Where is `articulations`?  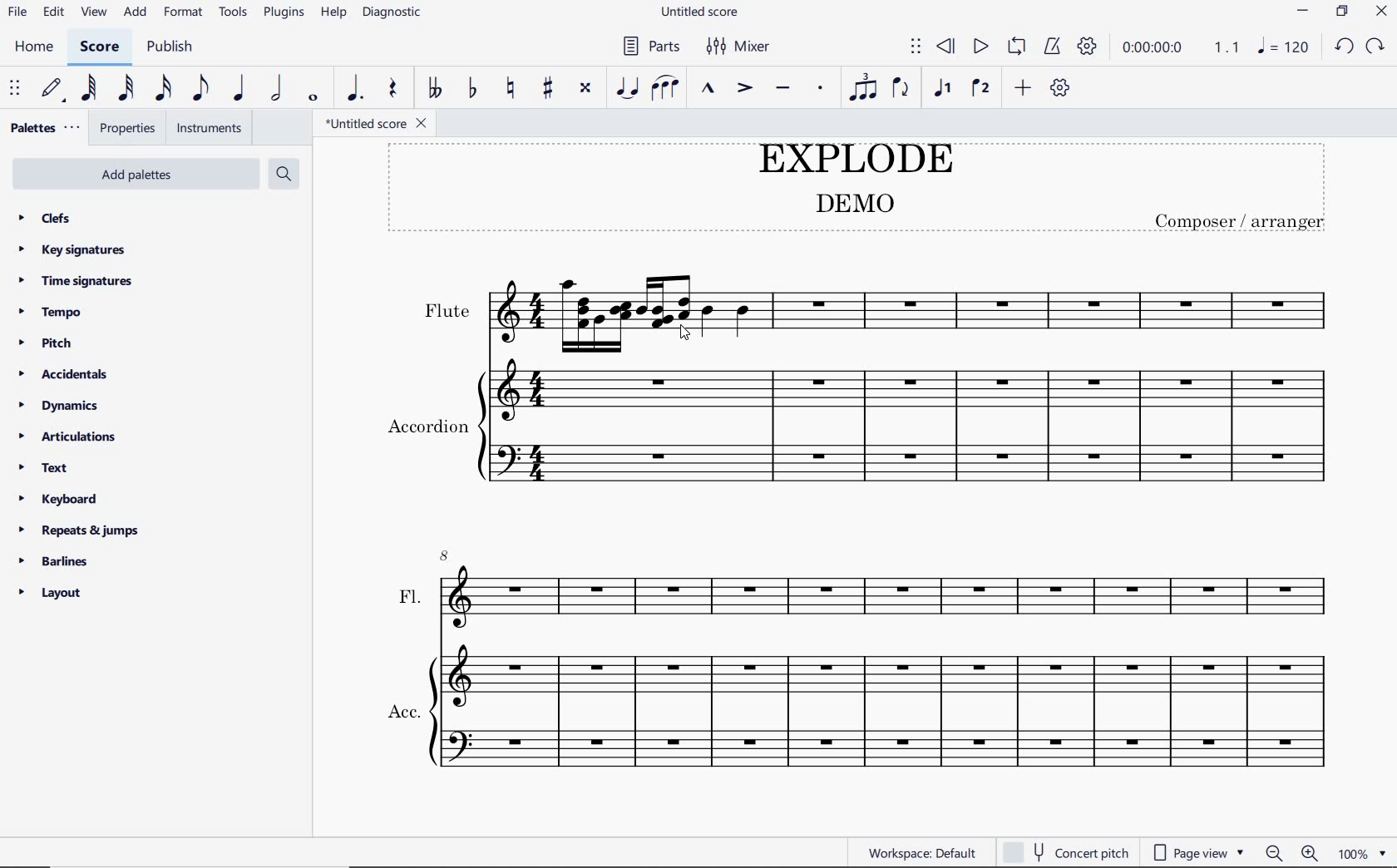
articulations is located at coordinates (68, 436).